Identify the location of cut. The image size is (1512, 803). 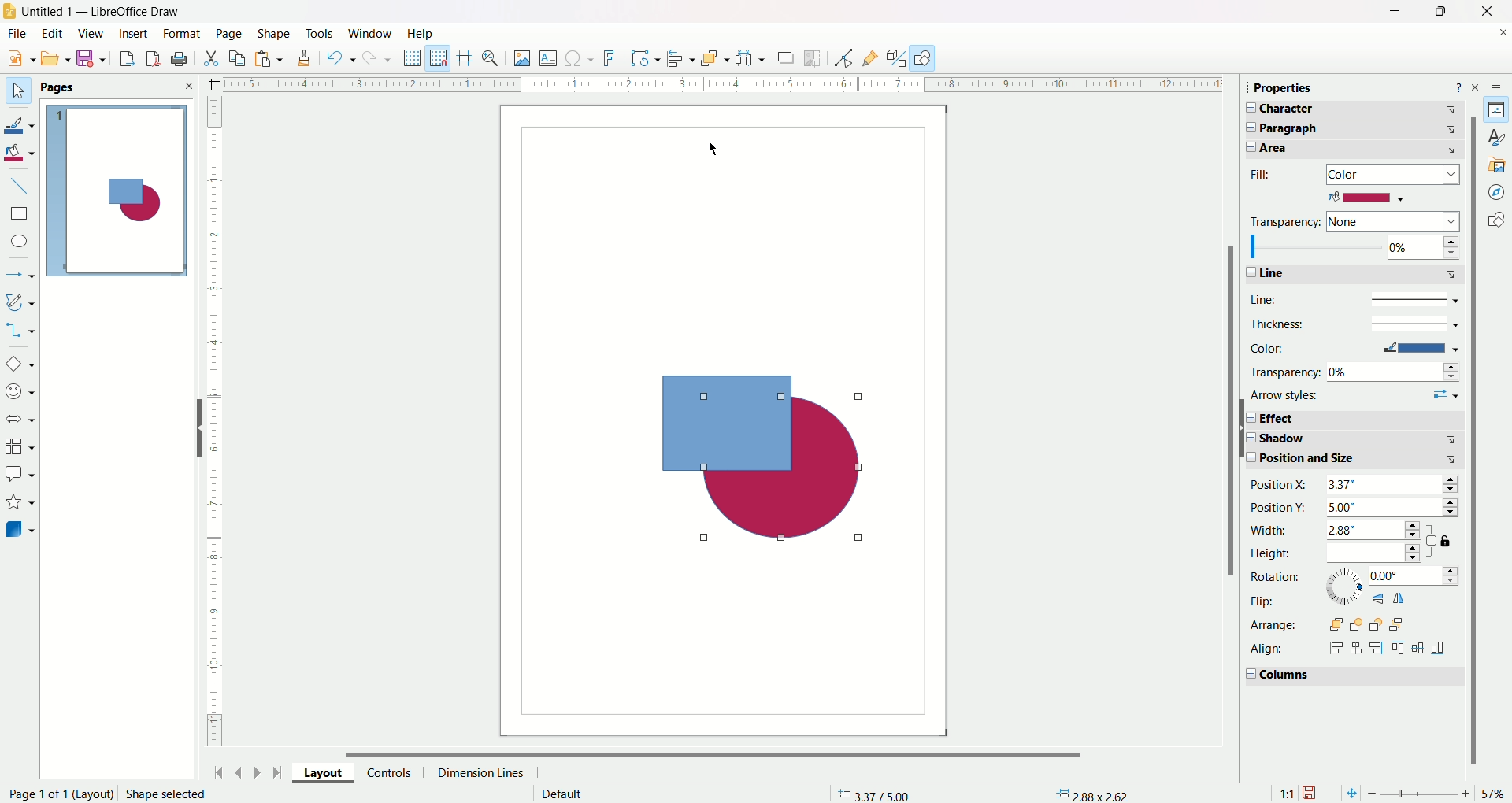
(211, 57).